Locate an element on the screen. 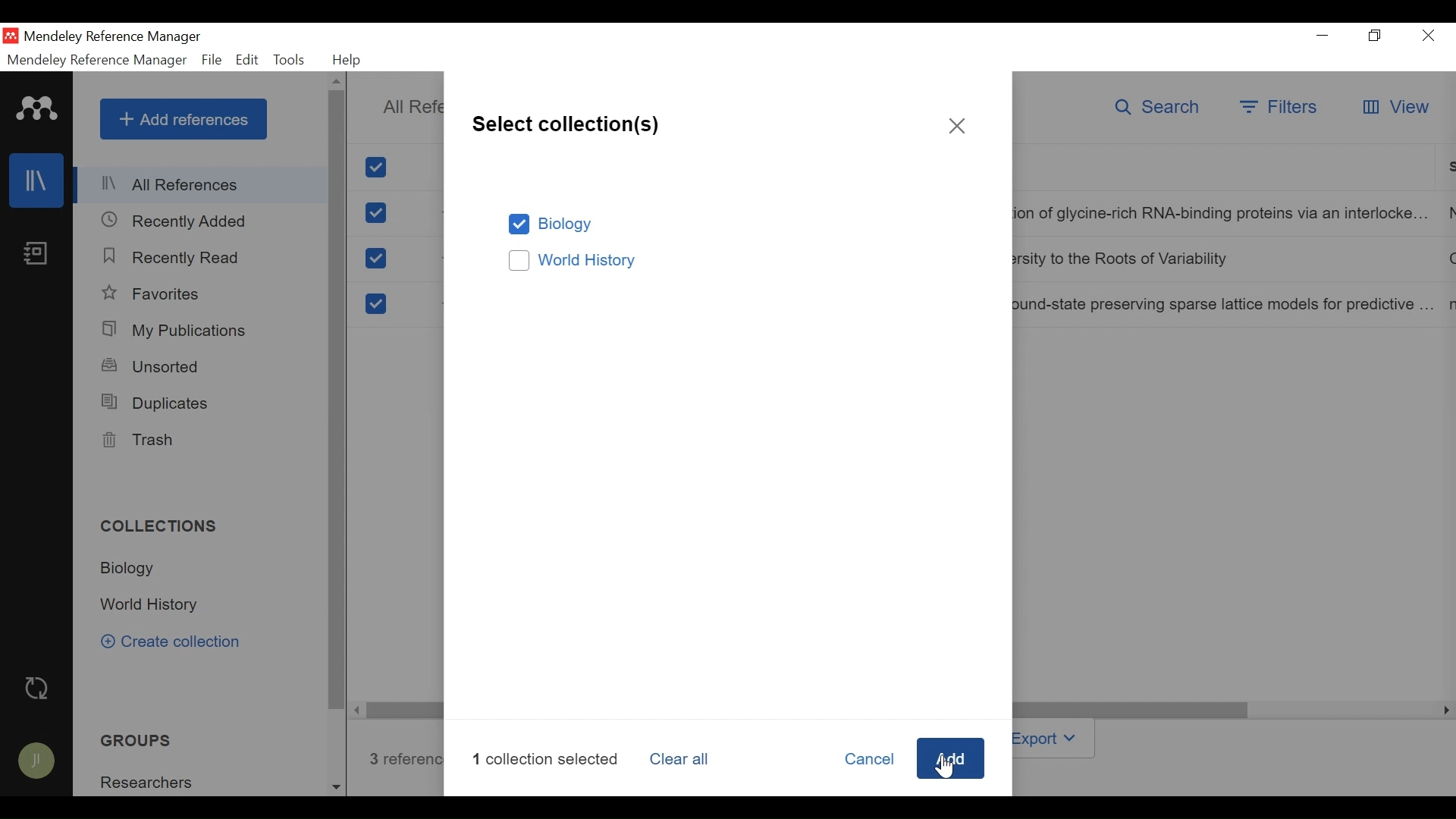  minimize is located at coordinates (1323, 35).